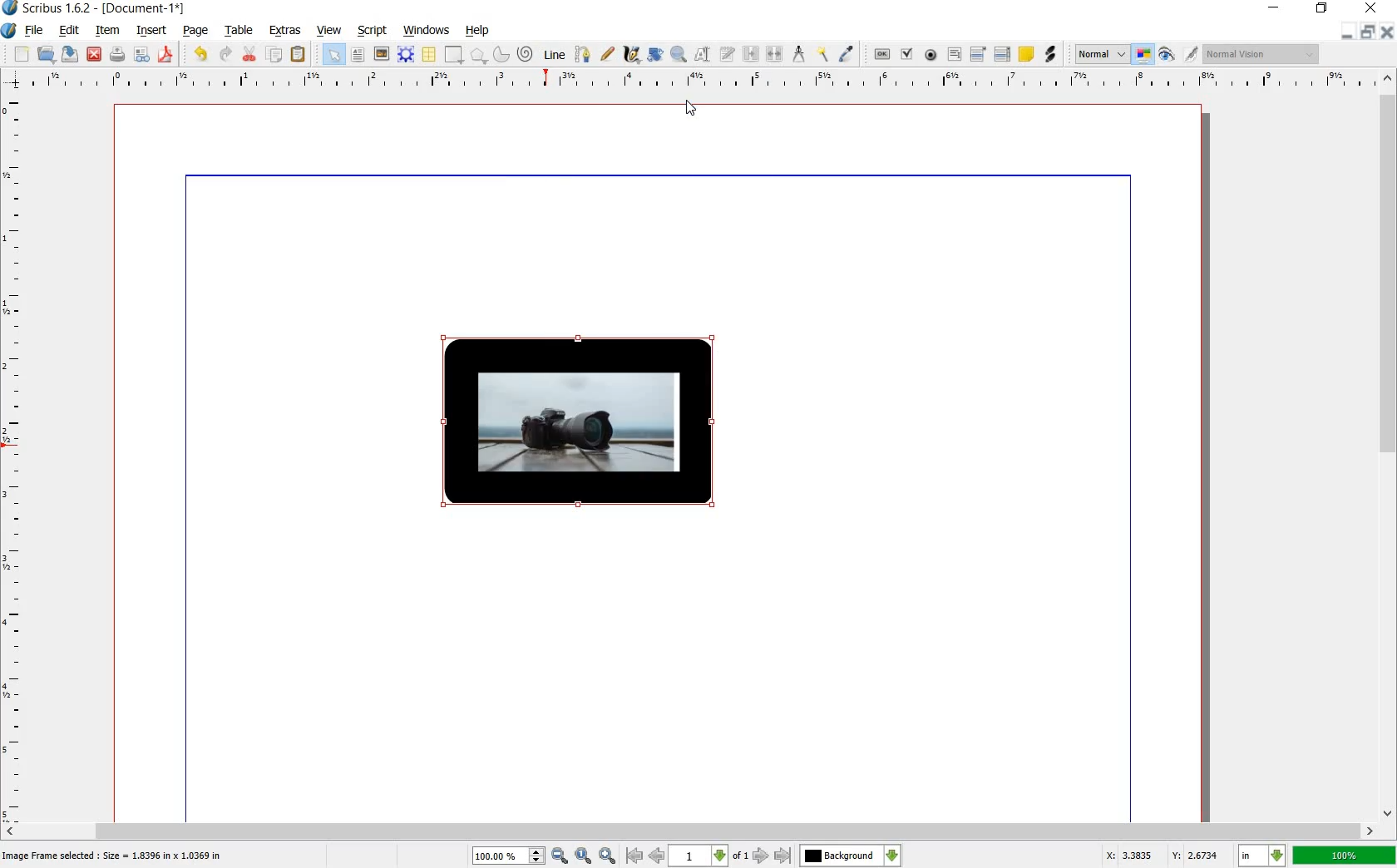 Image resolution: width=1397 pixels, height=868 pixels. I want to click on link text frames, so click(750, 53).